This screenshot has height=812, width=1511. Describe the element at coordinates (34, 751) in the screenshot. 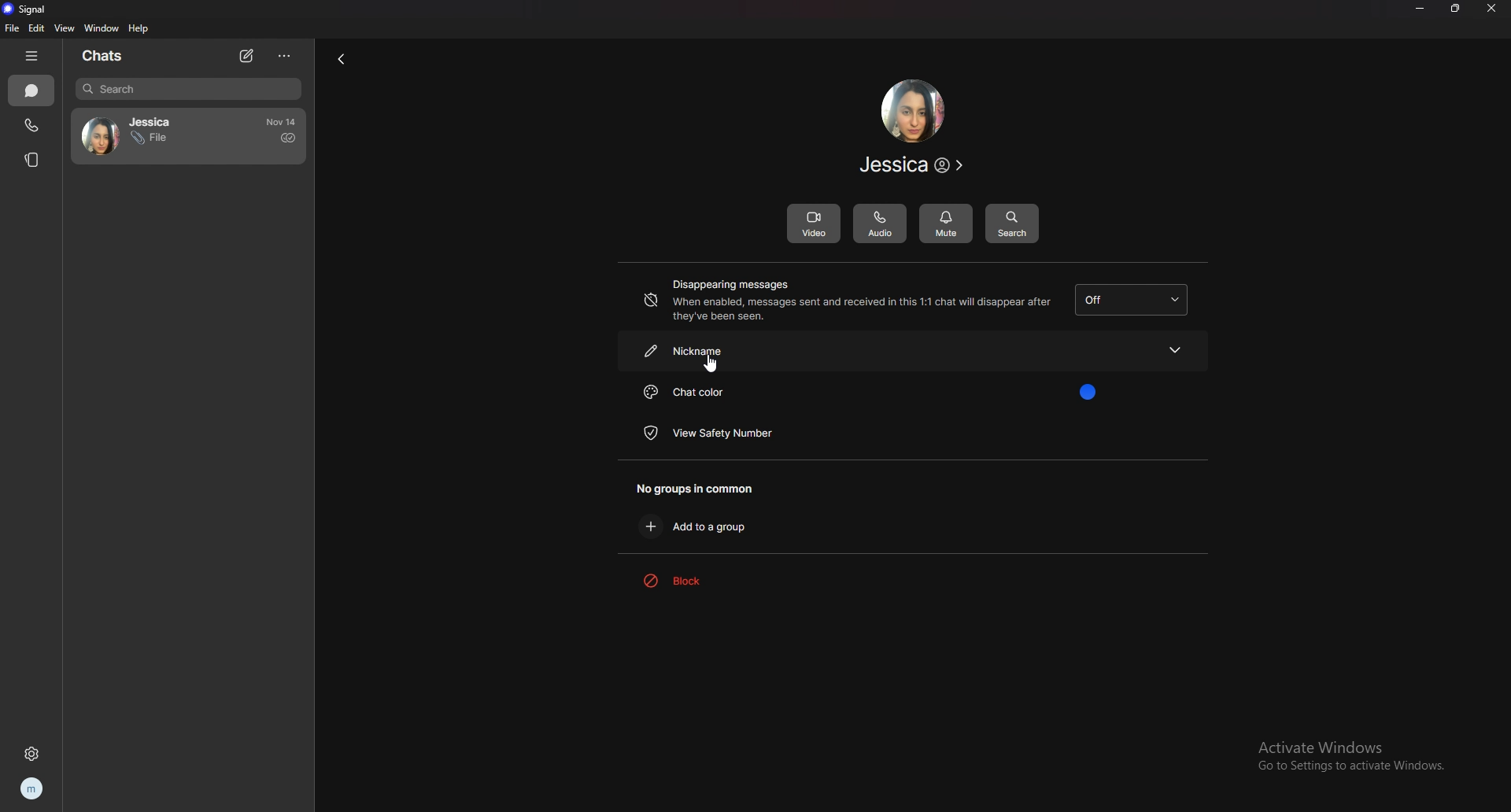

I see `settings` at that location.